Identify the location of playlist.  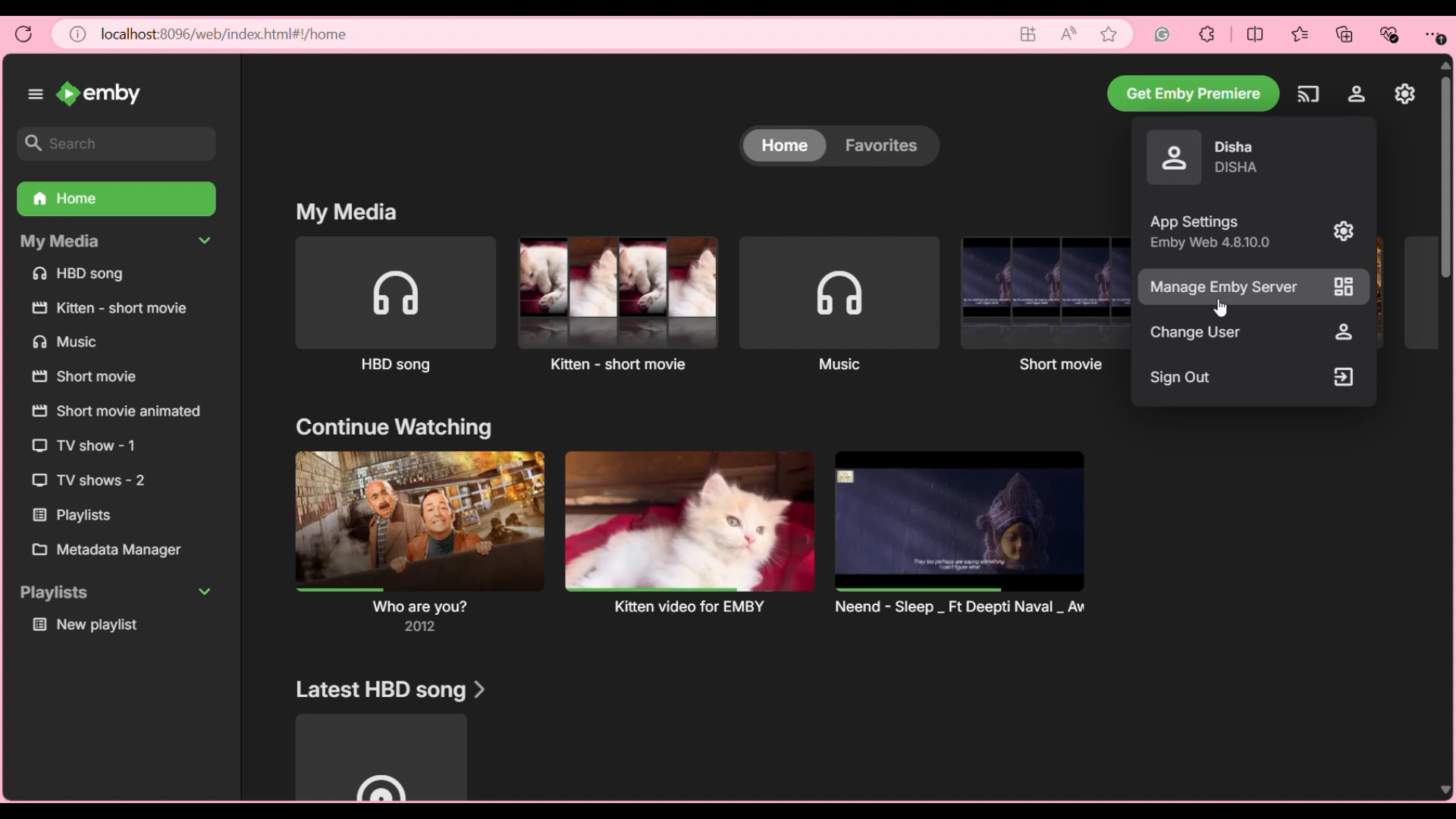
(58, 594).